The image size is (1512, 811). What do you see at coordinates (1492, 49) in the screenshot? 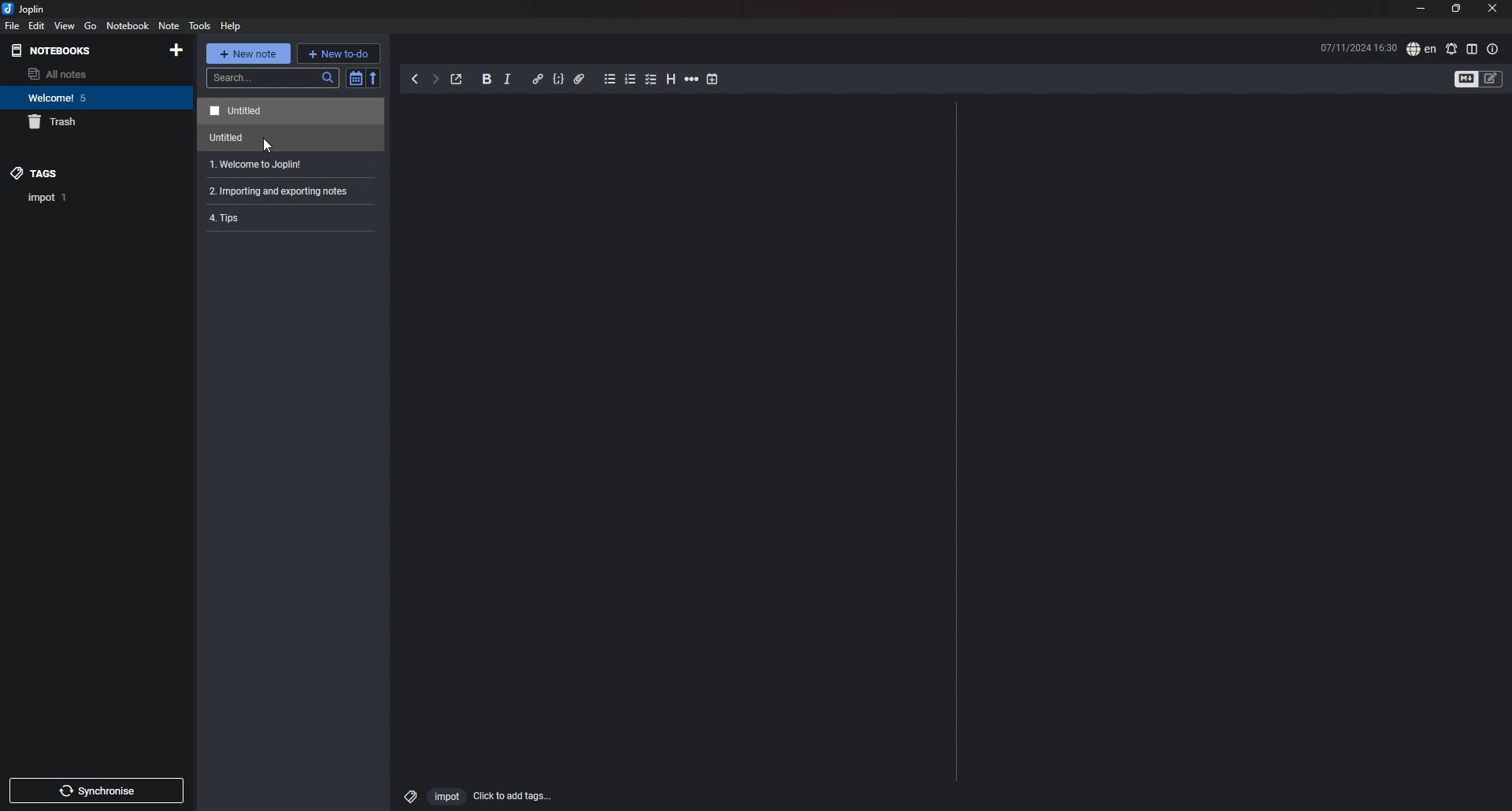
I see `note properties` at bounding box center [1492, 49].